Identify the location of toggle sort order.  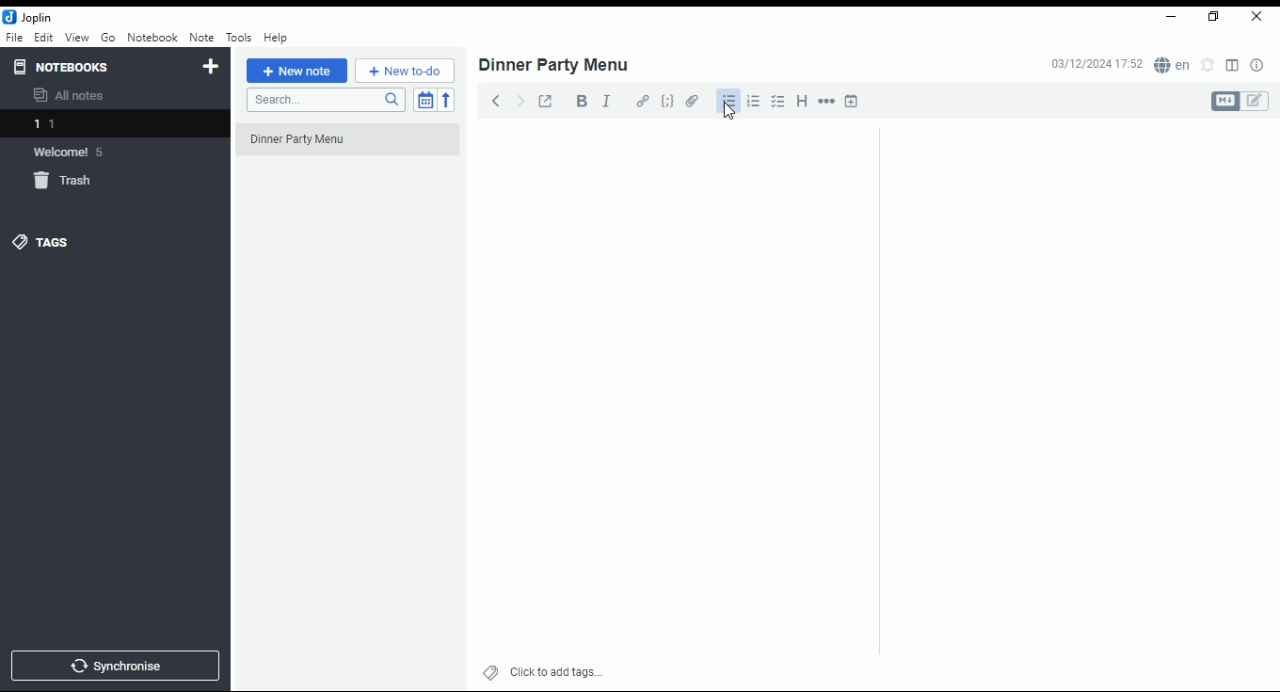
(424, 99).